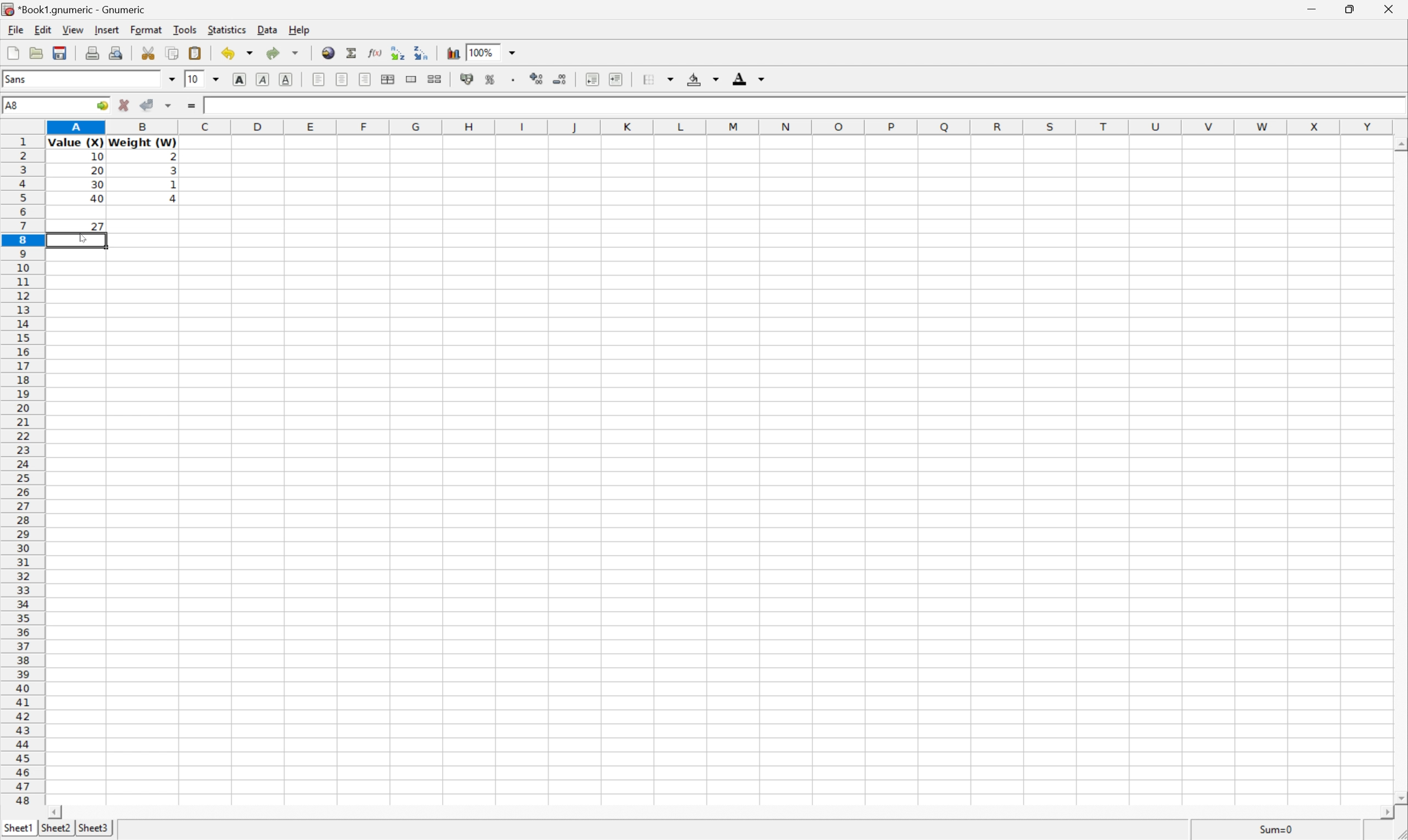  What do you see at coordinates (657, 77) in the screenshot?
I see `Borders` at bounding box center [657, 77].